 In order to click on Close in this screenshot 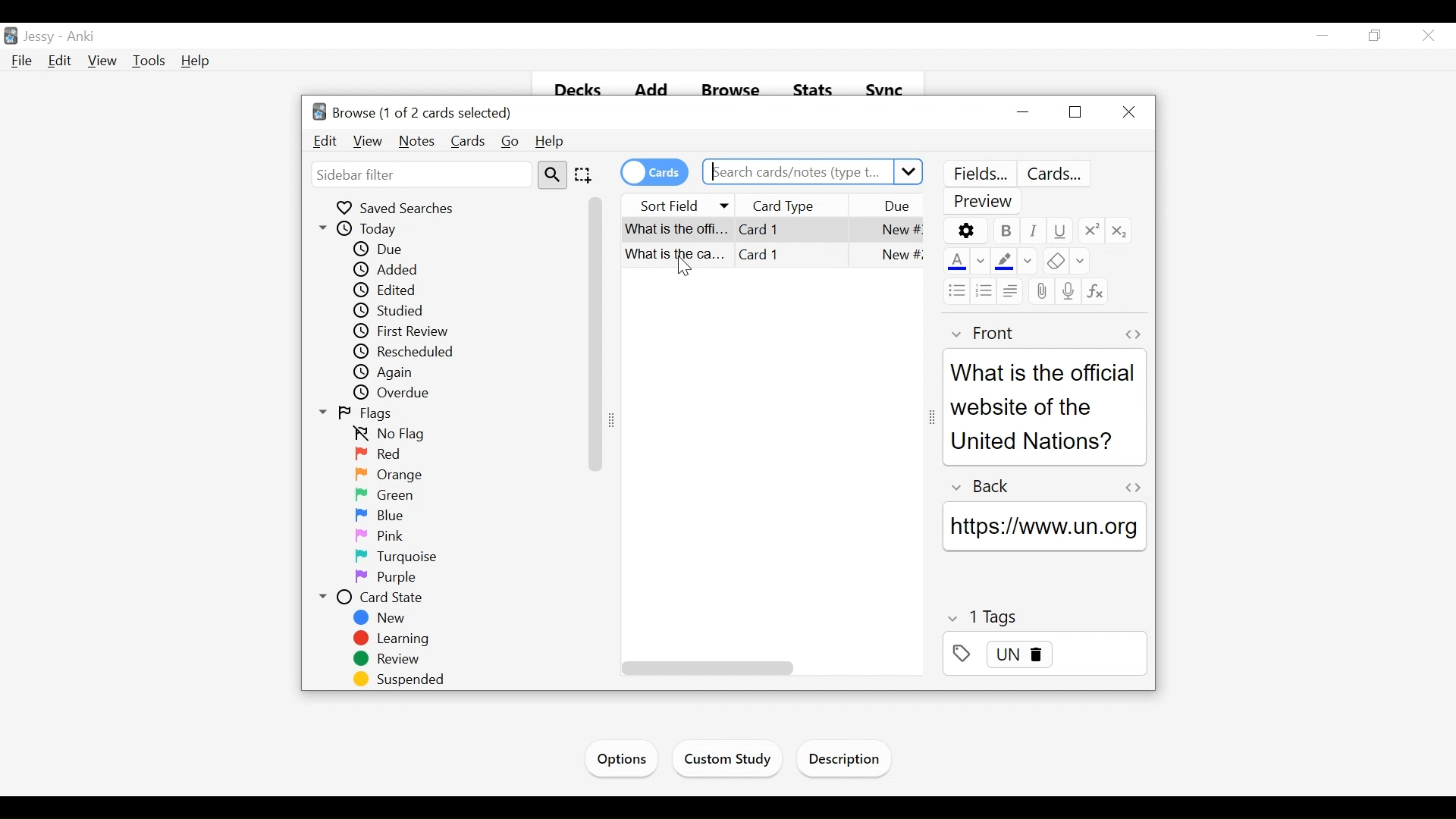, I will do `click(1131, 111)`.